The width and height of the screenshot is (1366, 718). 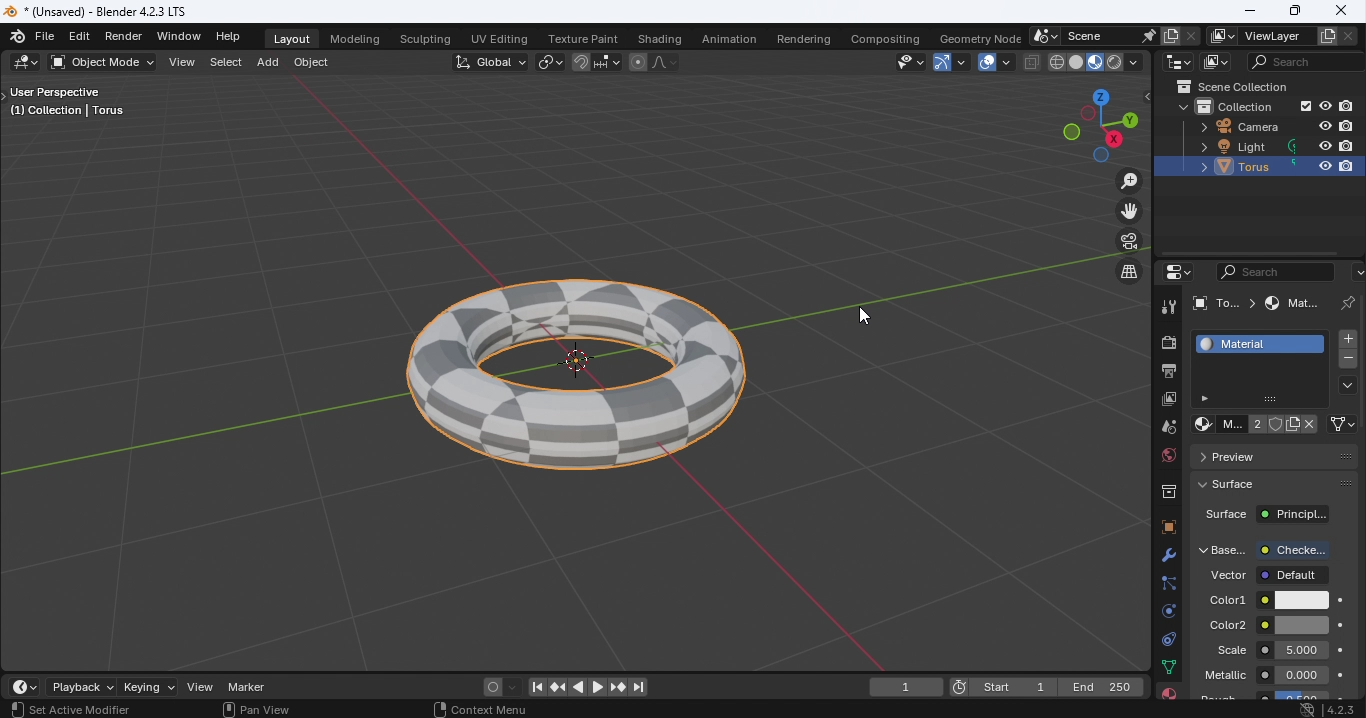 I want to click on Geometry node, so click(x=979, y=36).